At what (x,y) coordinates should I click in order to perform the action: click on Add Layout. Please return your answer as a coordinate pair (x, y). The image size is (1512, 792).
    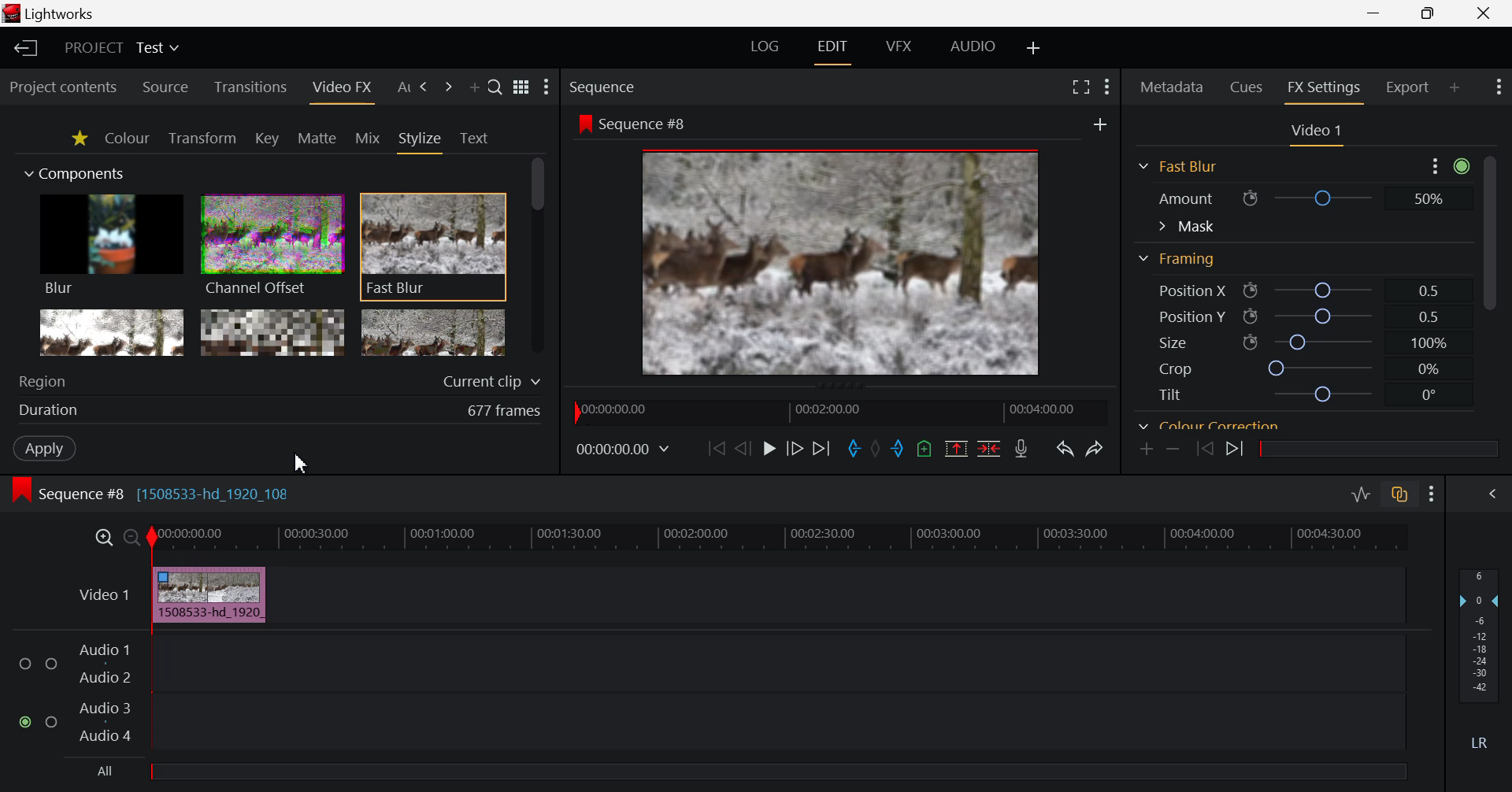
    Looking at the image, I should click on (1035, 50).